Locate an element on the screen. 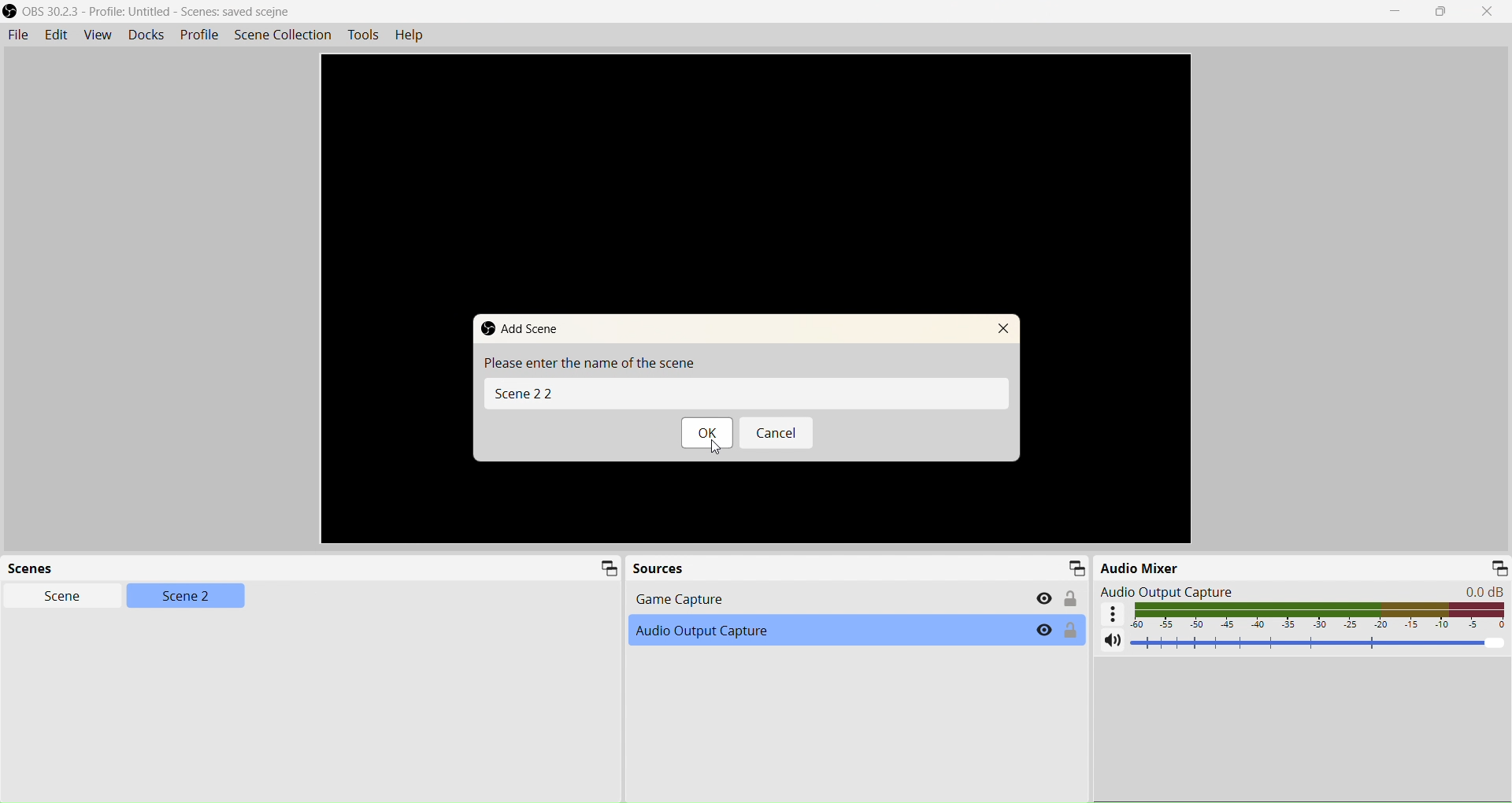 The image size is (1512, 803). Close is located at coordinates (1003, 328).